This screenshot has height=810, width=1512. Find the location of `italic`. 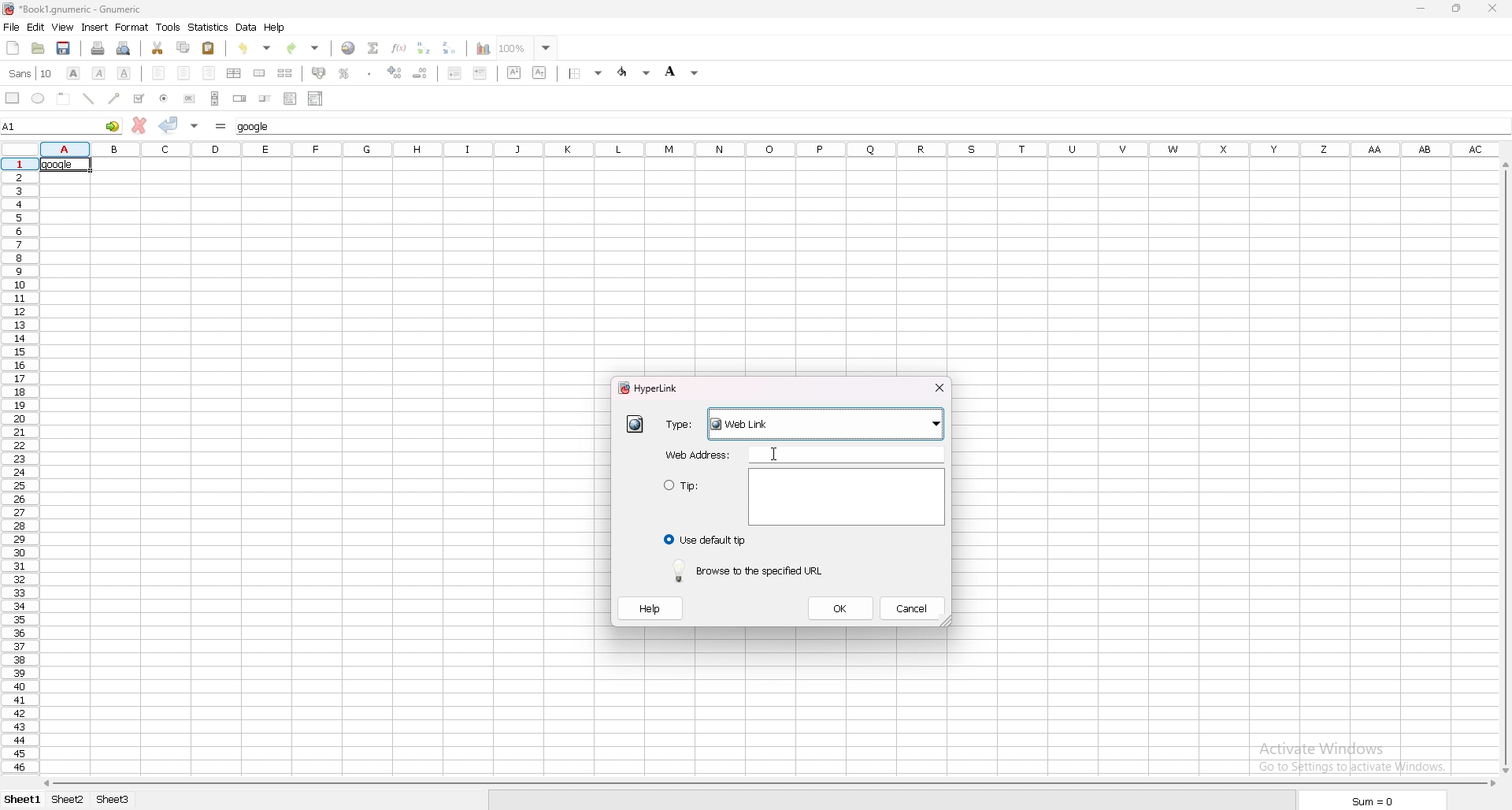

italic is located at coordinates (100, 72).